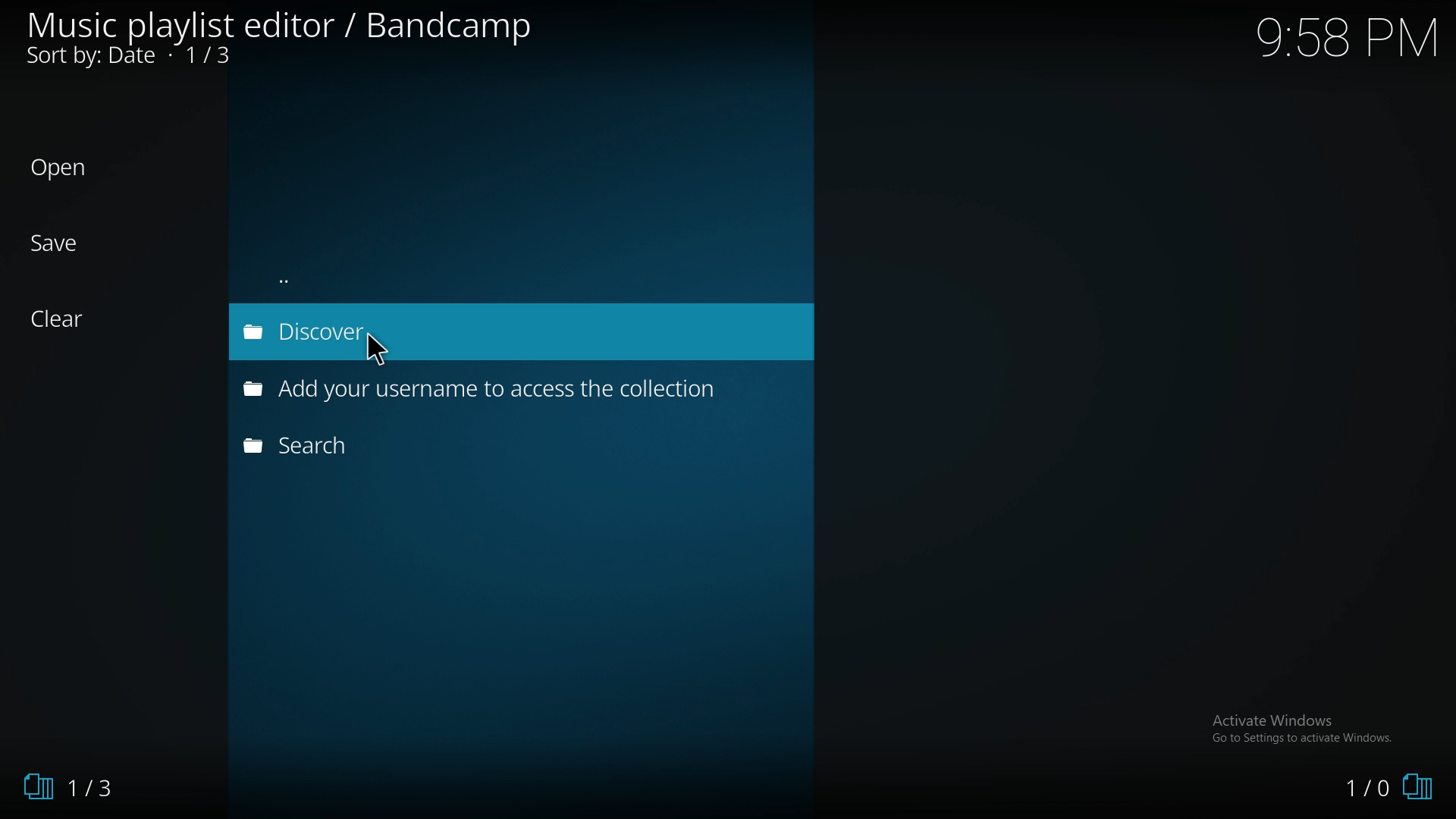 The height and width of the screenshot is (819, 1456). I want to click on 9:58 PM, so click(1345, 47).